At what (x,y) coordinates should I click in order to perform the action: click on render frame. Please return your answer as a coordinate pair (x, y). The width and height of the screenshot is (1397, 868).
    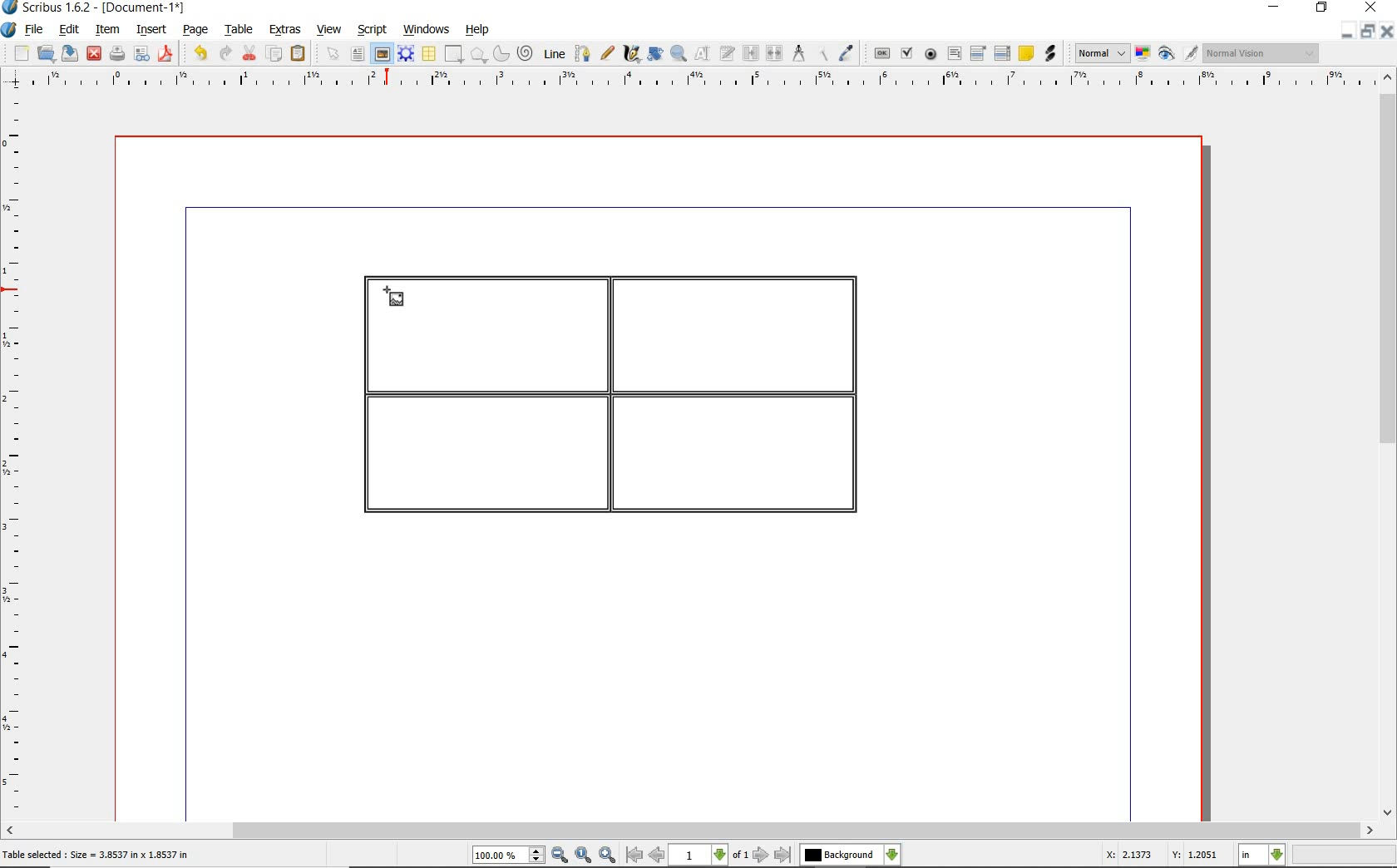
    Looking at the image, I should click on (406, 52).